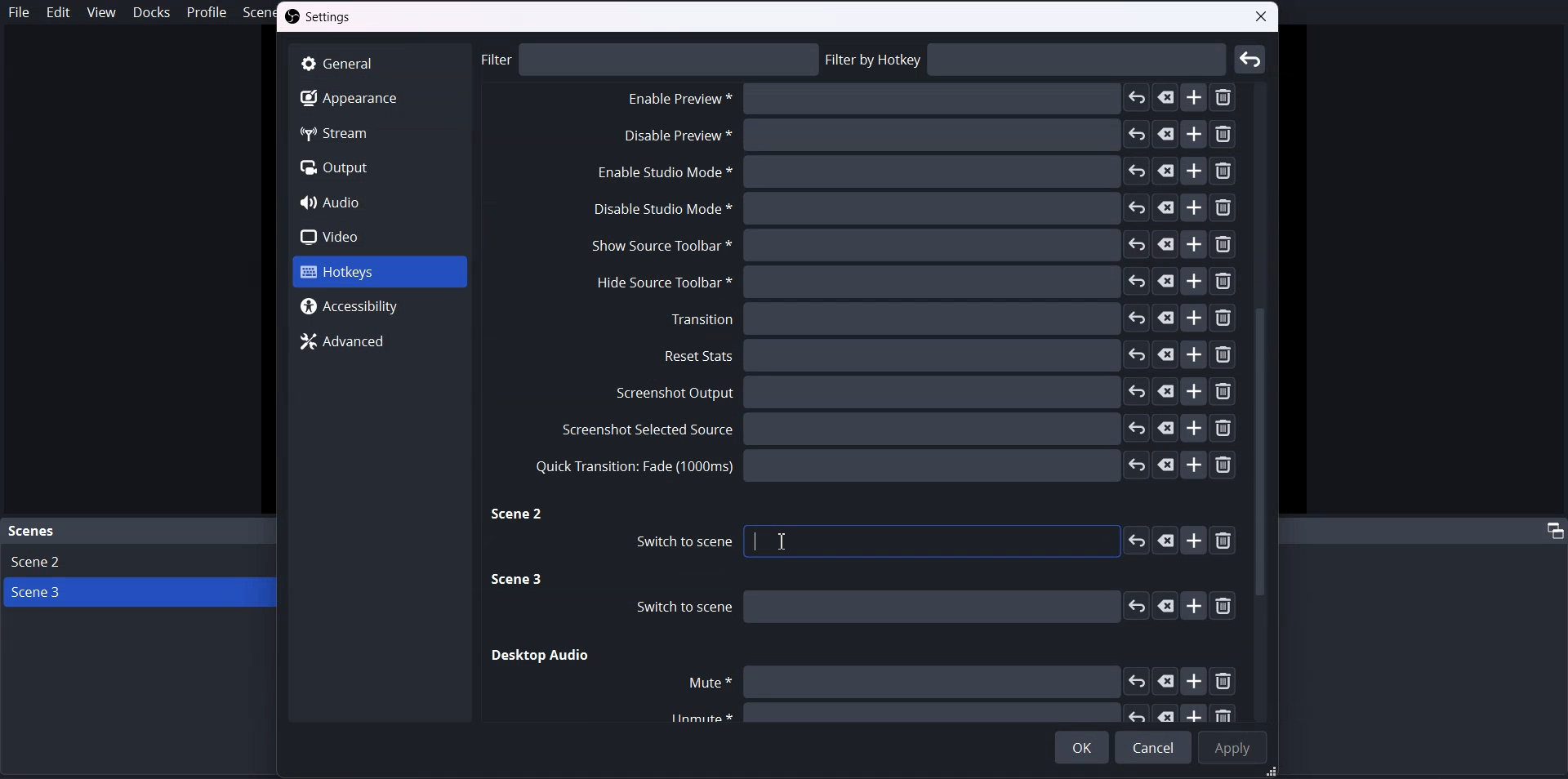 Image resolution: width=1568 pixels, height=779 pixels. Describe the element at coordinates (378, 132) in the screenshot. I see `Stream` at that location.